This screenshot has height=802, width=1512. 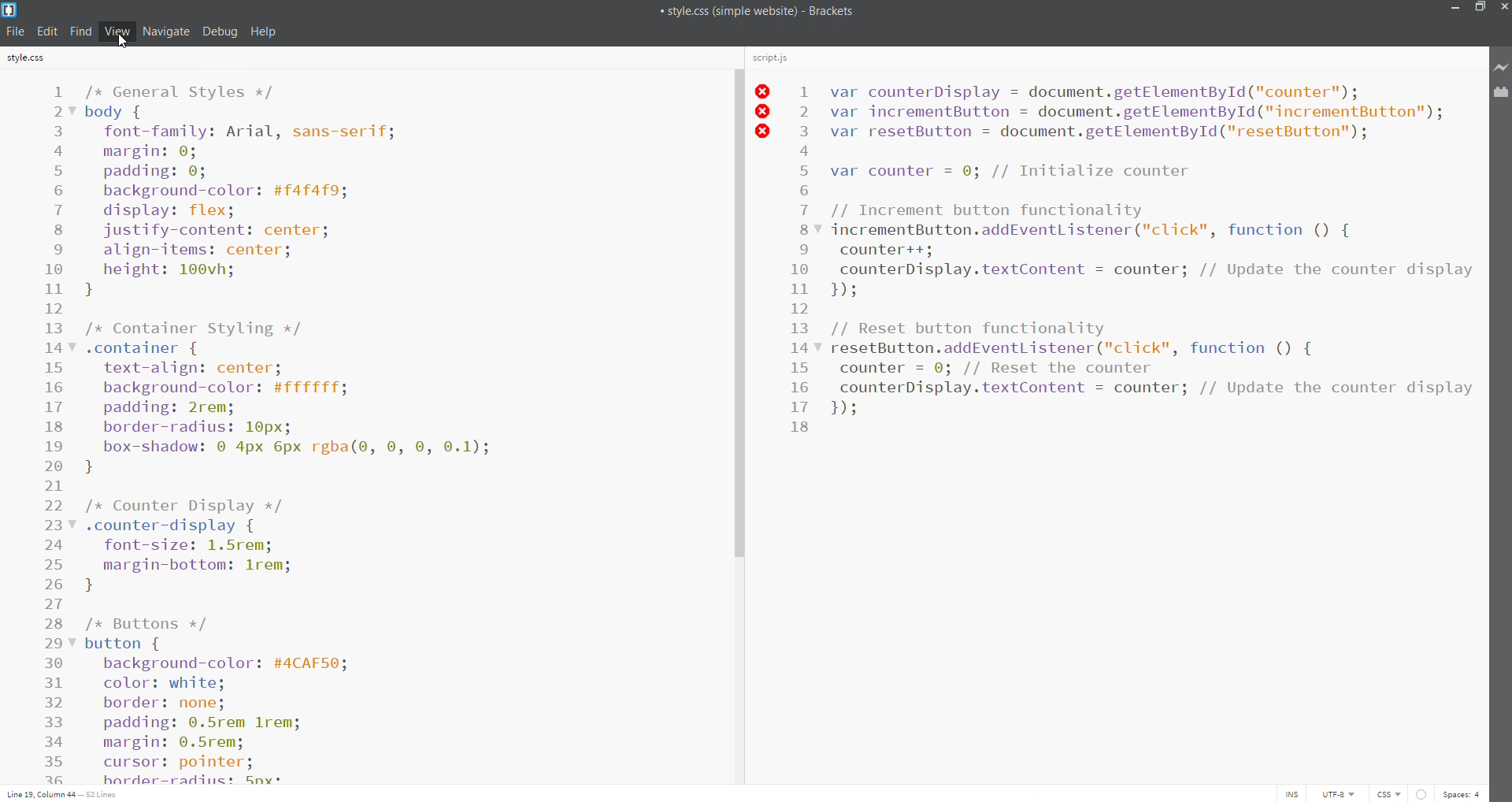 I want to click on extension manager, so click(x=1502, y=94).